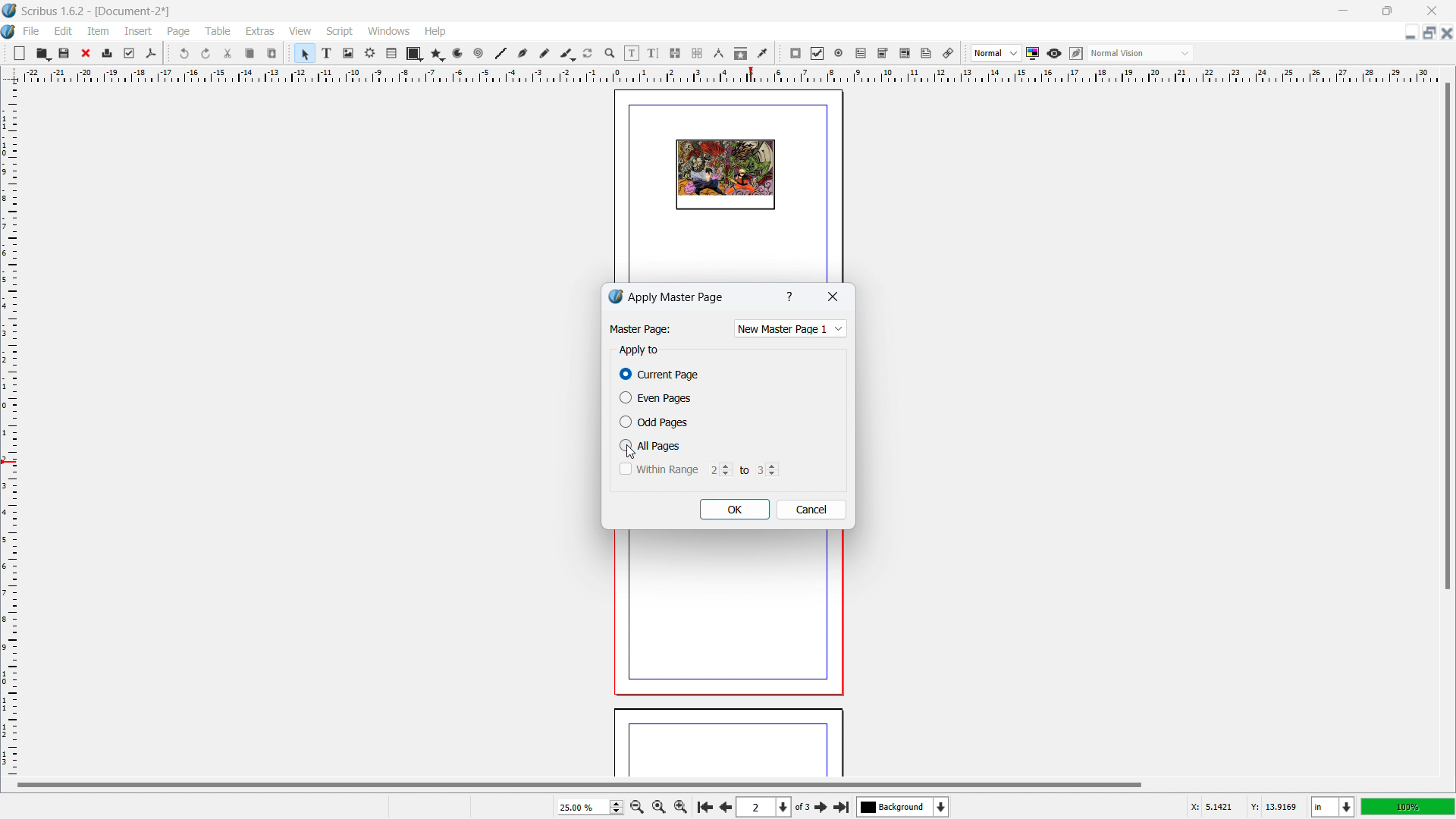 The height and width of the screenshot is (819, 1456). What do you see at coordinates (328, 52) in the screenshot?
I see `text frame` at bounding box center [328, 52].